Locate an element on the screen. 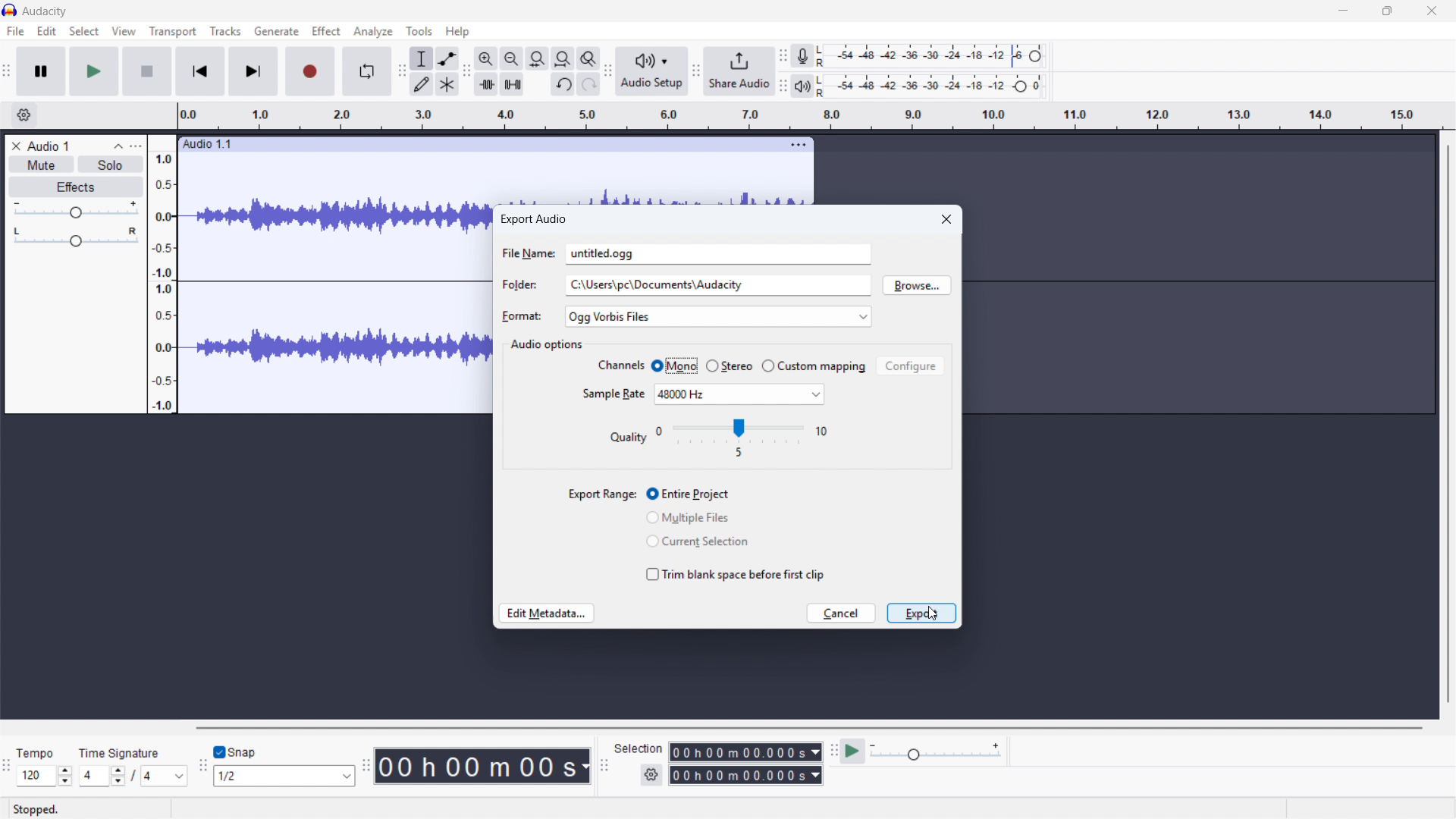 The width and height of the screenshot is (1456, 819). / is located at coordinates (135, 775).